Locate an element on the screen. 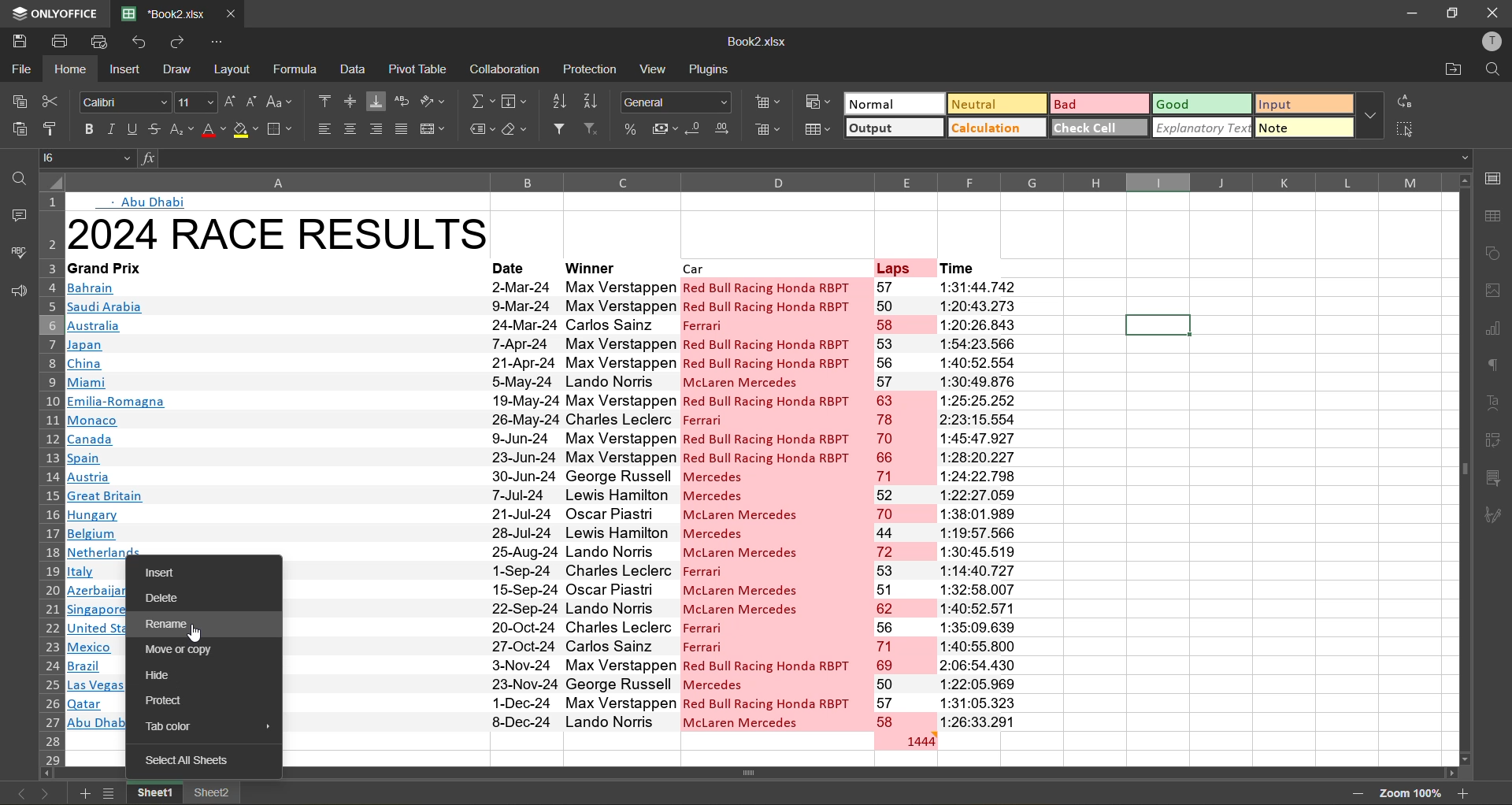 This screenshot has width=1512, height=805. underline is located at coordinates (129, 131).